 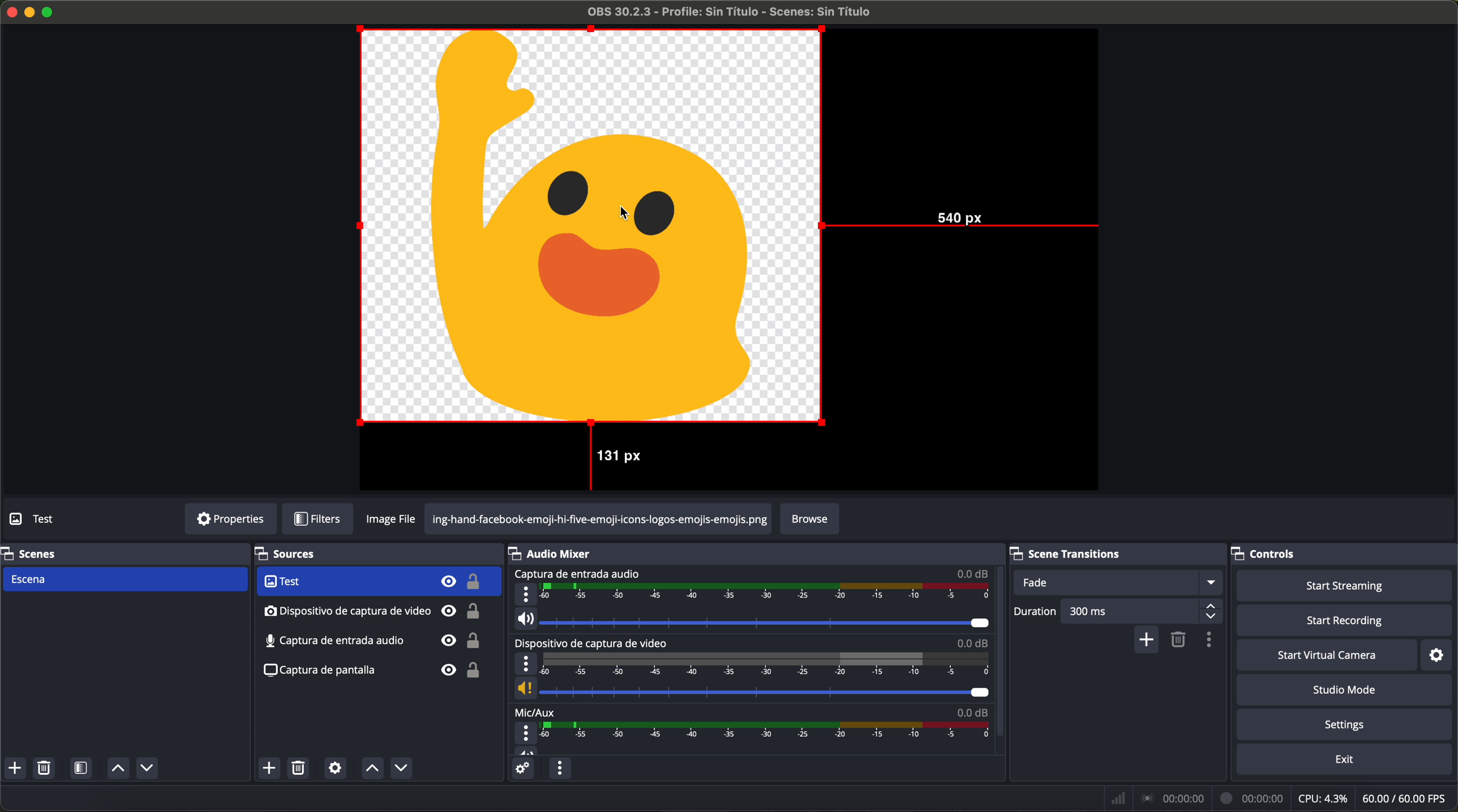 What do you see at coordinates (576, 574) in the screenshot?
I see `audio input capture` at bounding box center [576, 574].